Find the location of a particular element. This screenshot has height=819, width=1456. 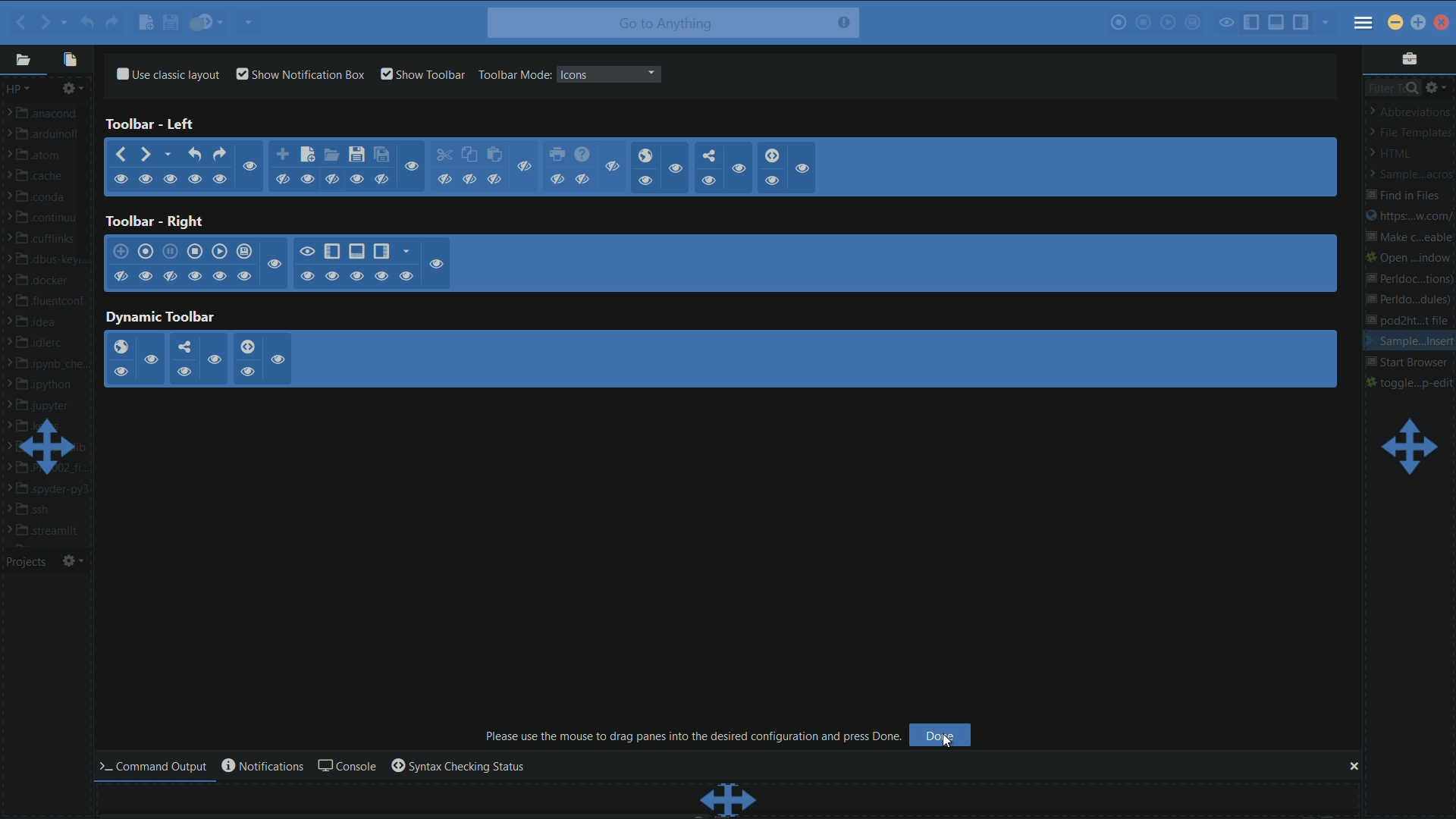

show/hide is located at coordinates (526, 167).